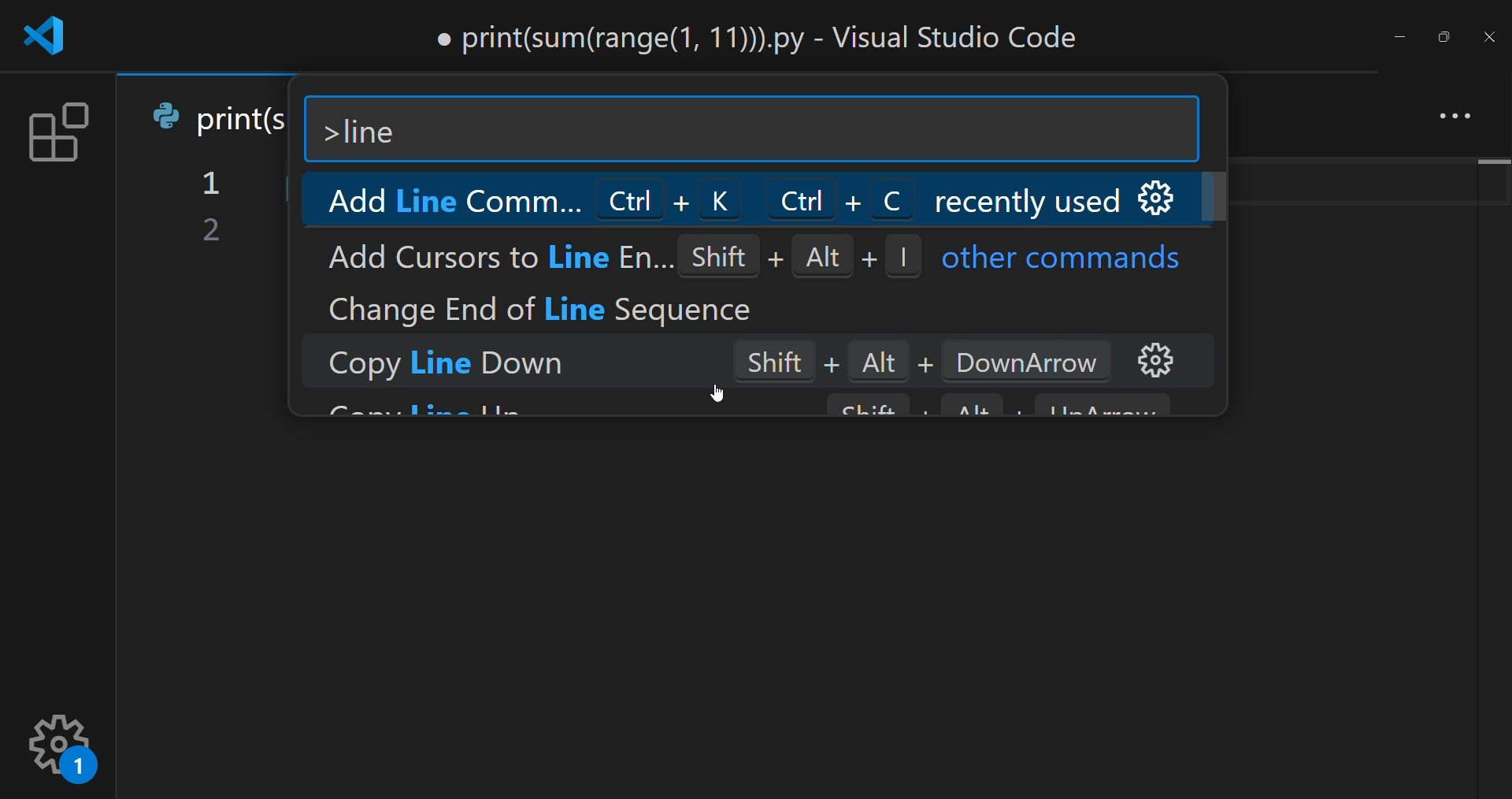 The height and width of the screenshot is (799, 1512). Describe the element at coordinates (1450, 113) in the screenshot. I see `more` at that location.